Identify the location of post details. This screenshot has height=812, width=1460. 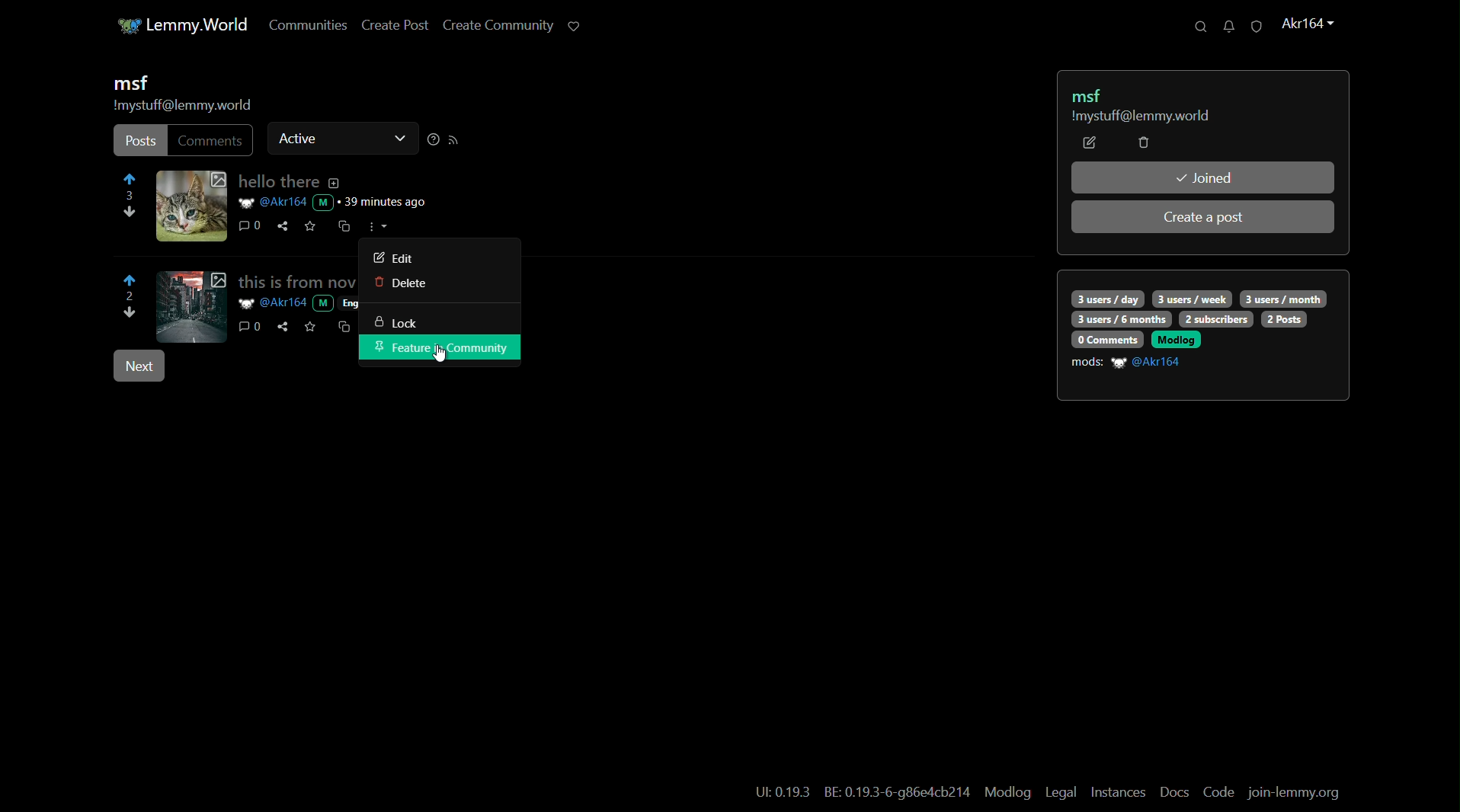
(298, 303).